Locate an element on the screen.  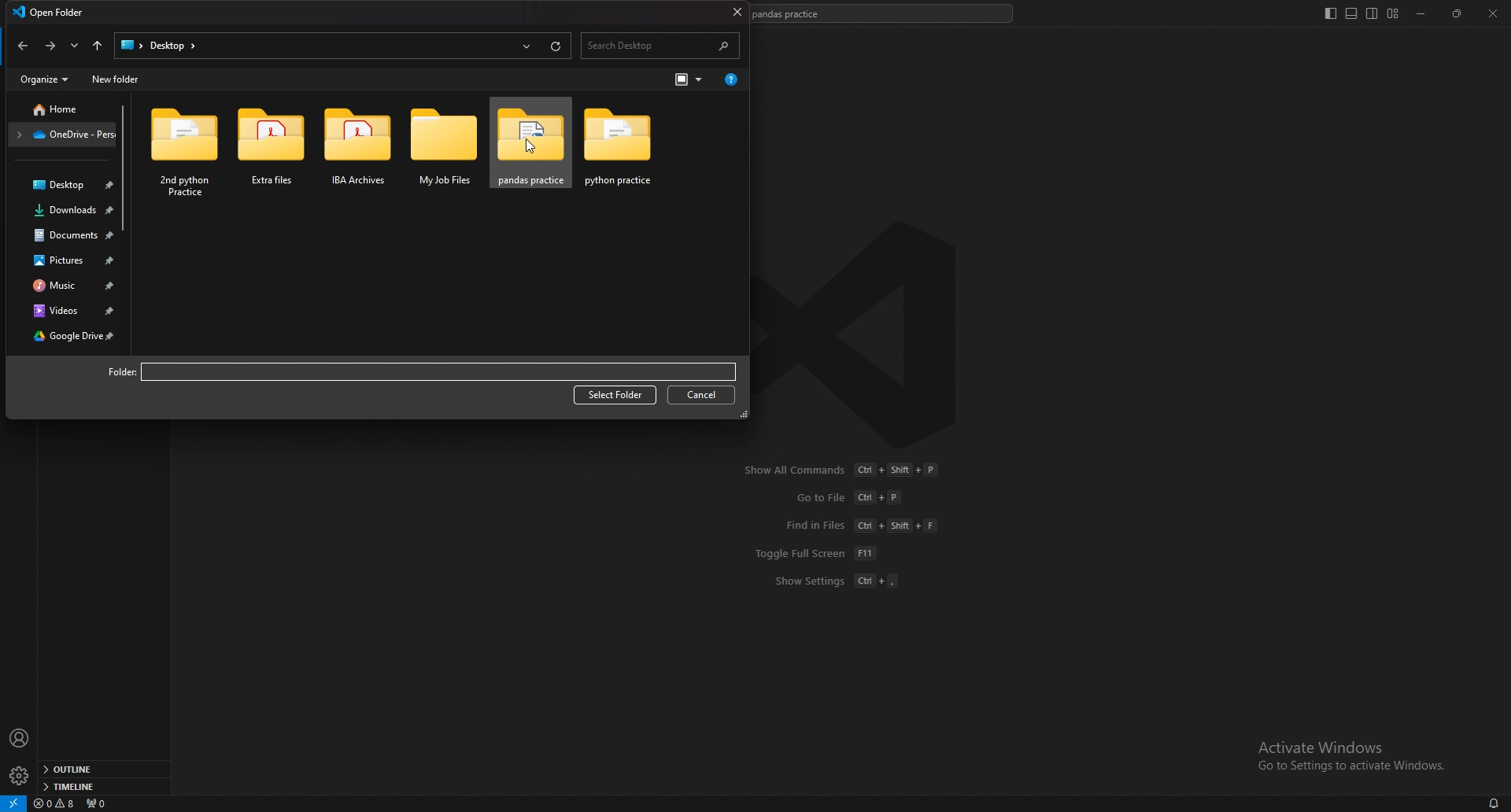
music is located at coordinates (67, 286).